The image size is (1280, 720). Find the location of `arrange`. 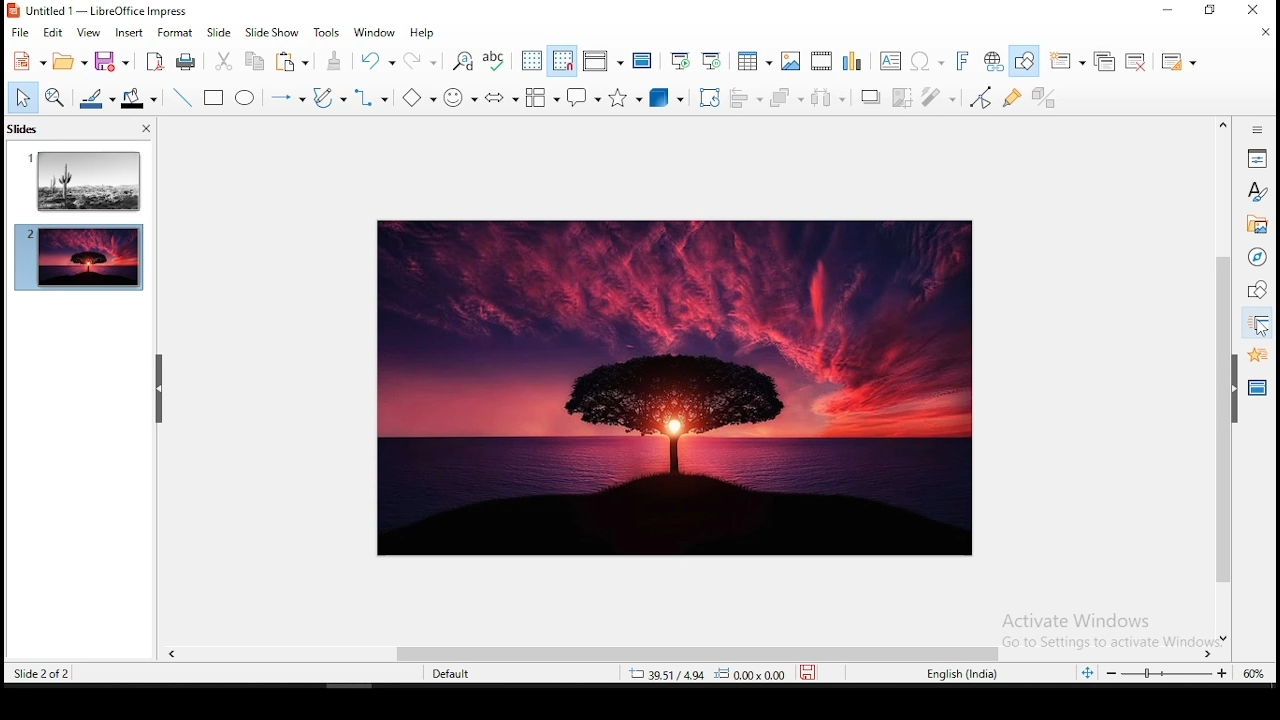

arrange is located at coordinates (788, 97).